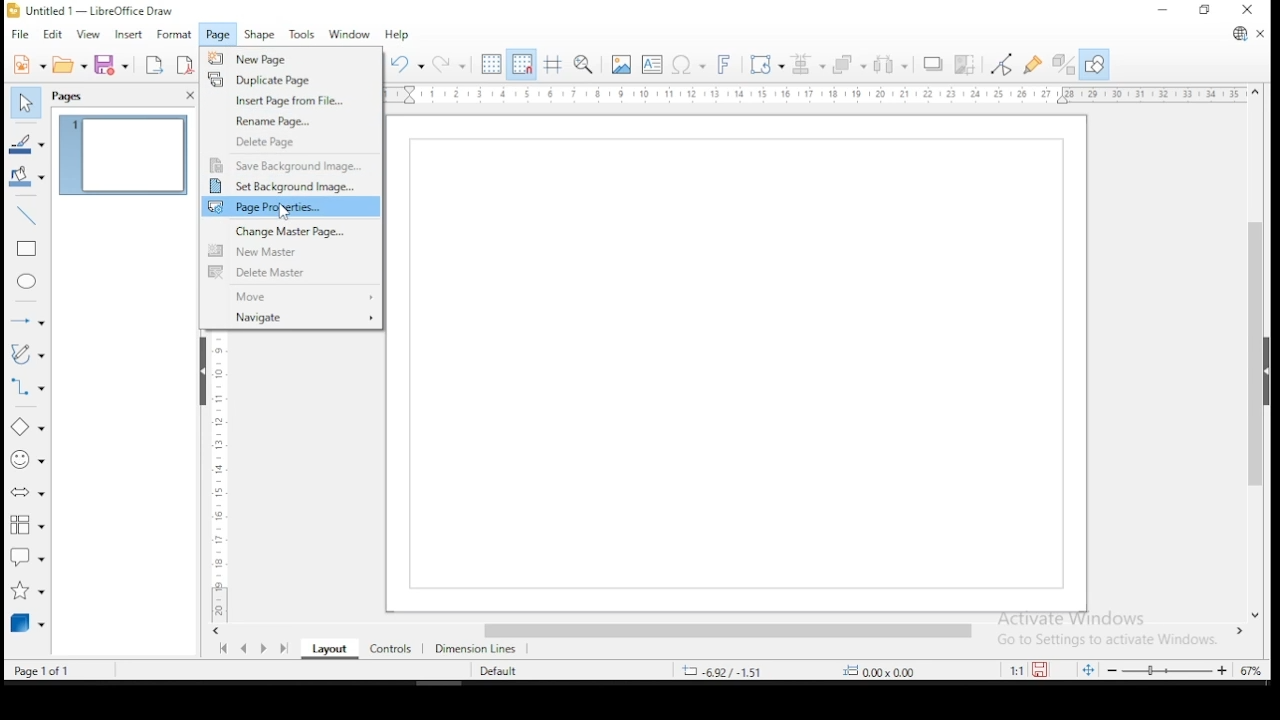 The width and height of the screenshot is (1280, 720). What do you see at coordinates (408, 65) in the screenshot?
I see `undo` at bounding box center [408, 65].